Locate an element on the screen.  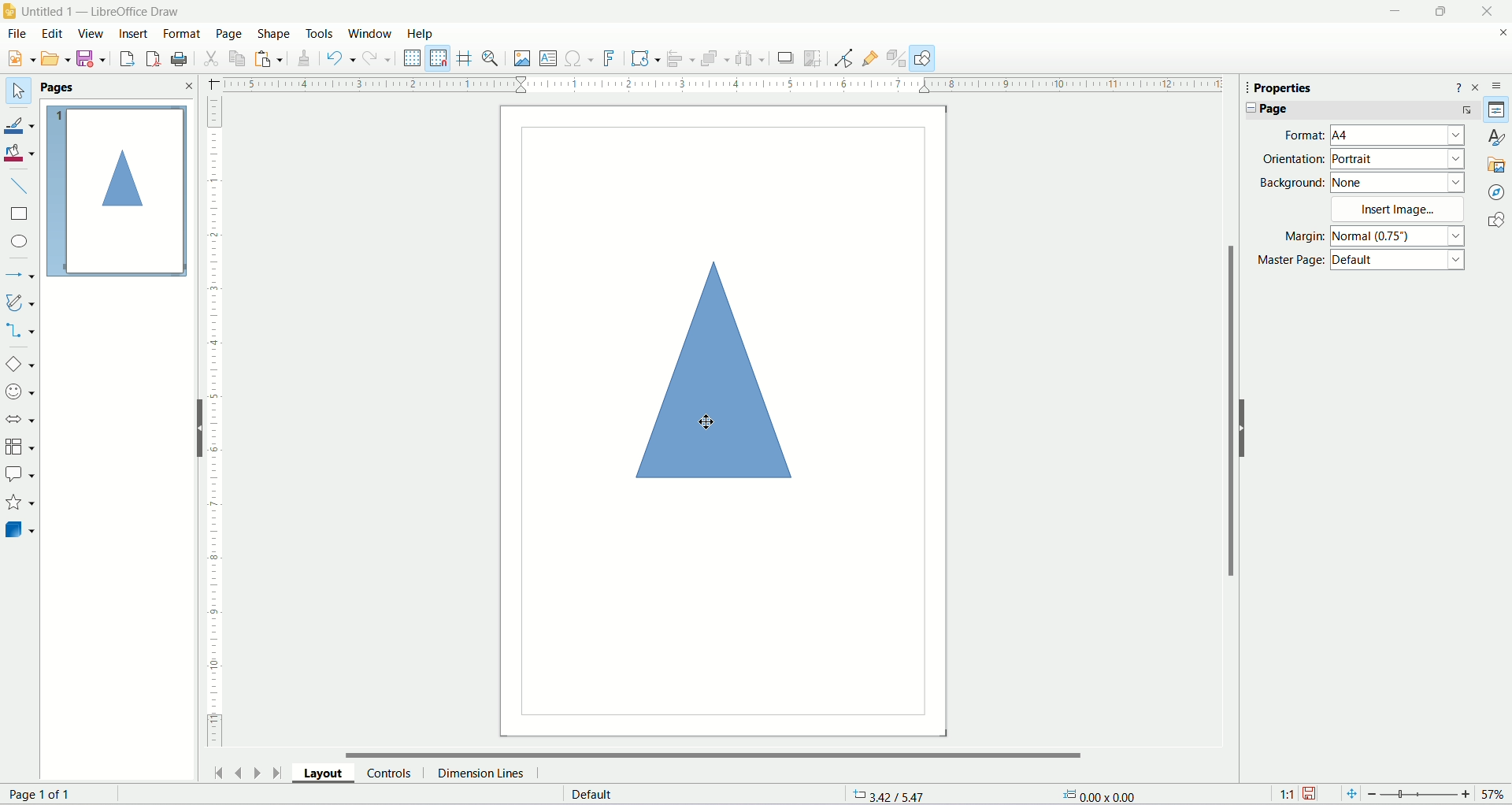
Curves and Polygons is located at coordinates (20, 302).